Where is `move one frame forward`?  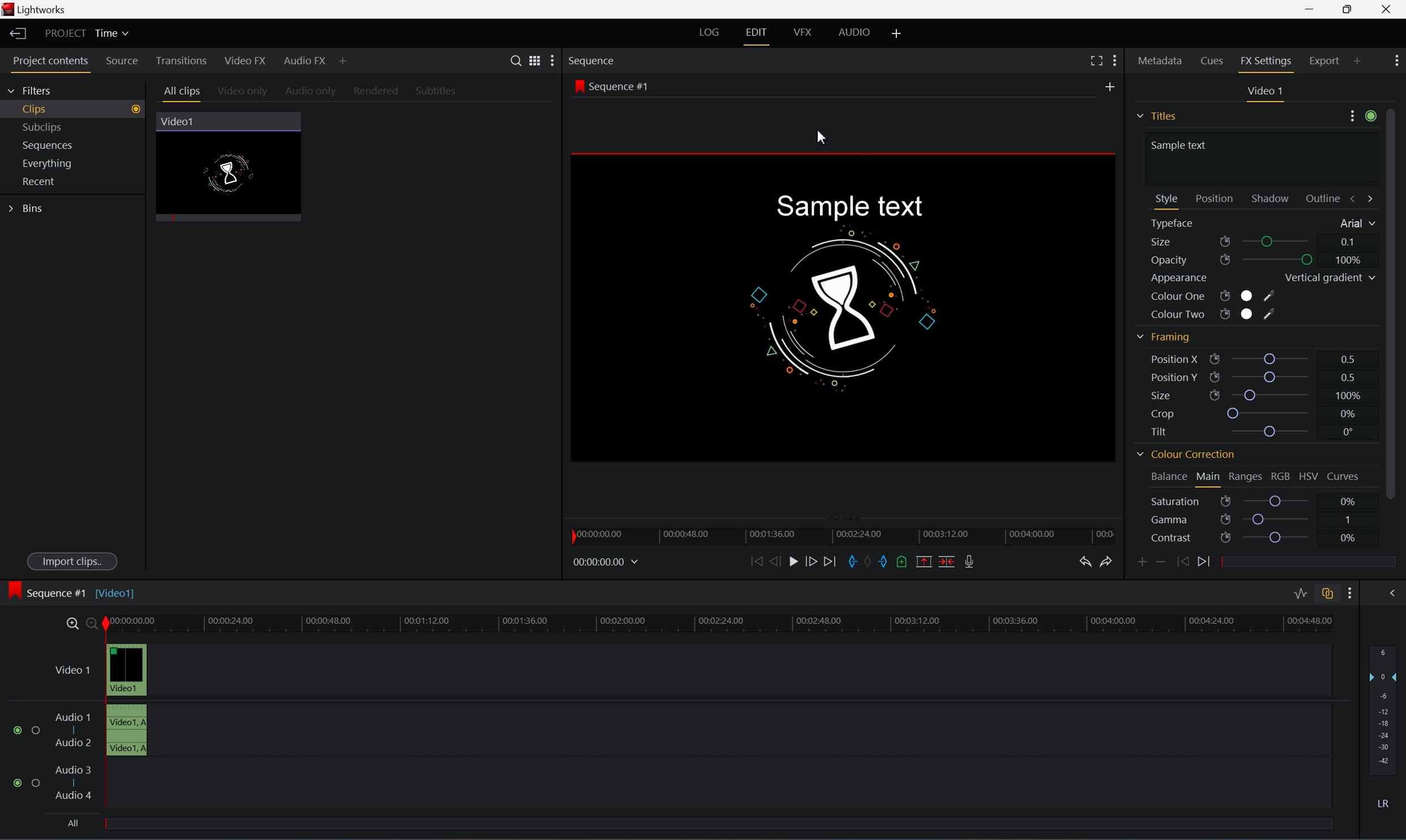
move one frame forward is located at coordinates (816, 562).